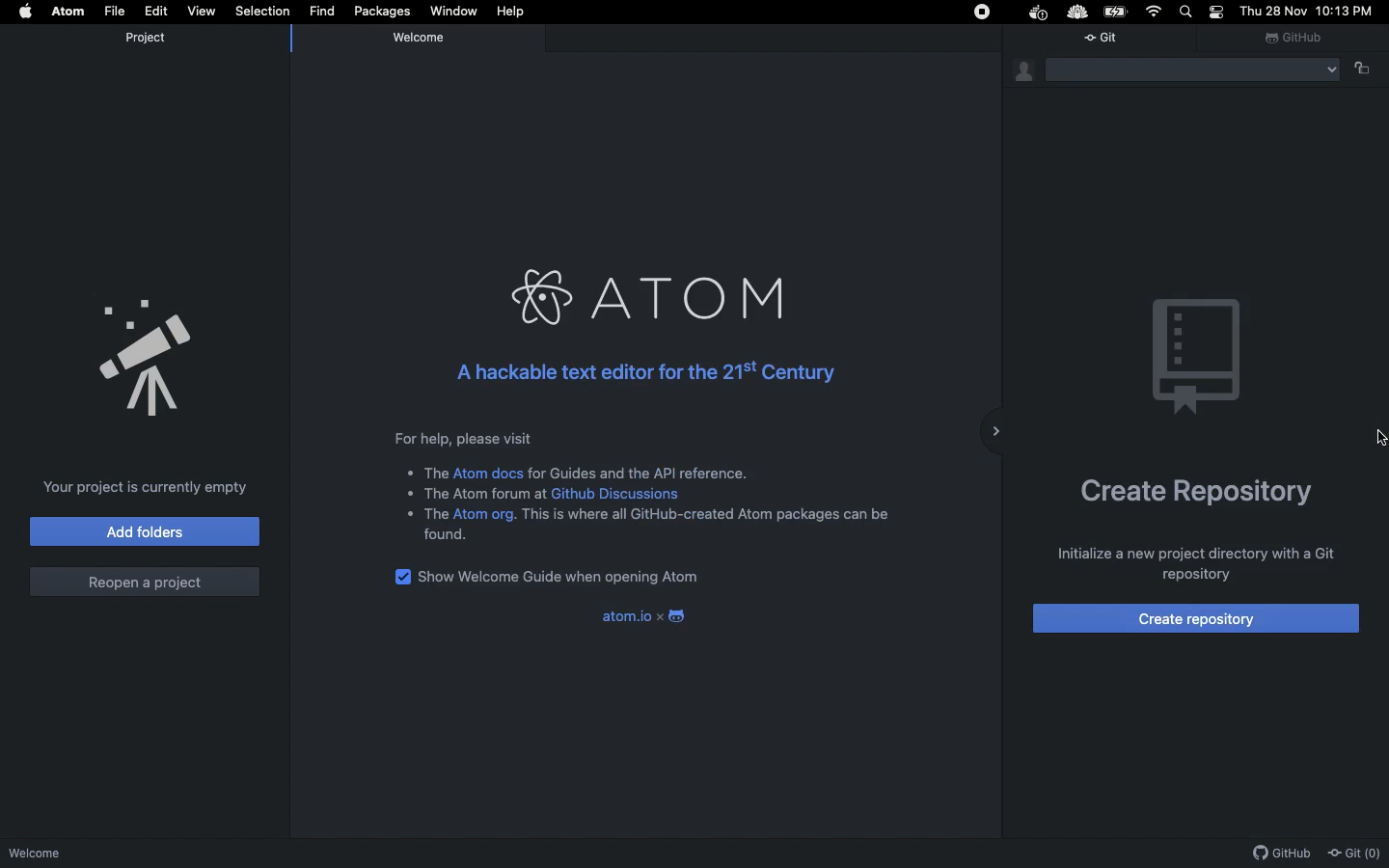 This screenshot has width=1389, height=868. What do you see at coordinates (1217, 12) in the screenshot?
I see `Notification` at bounding box center [1217, 12].